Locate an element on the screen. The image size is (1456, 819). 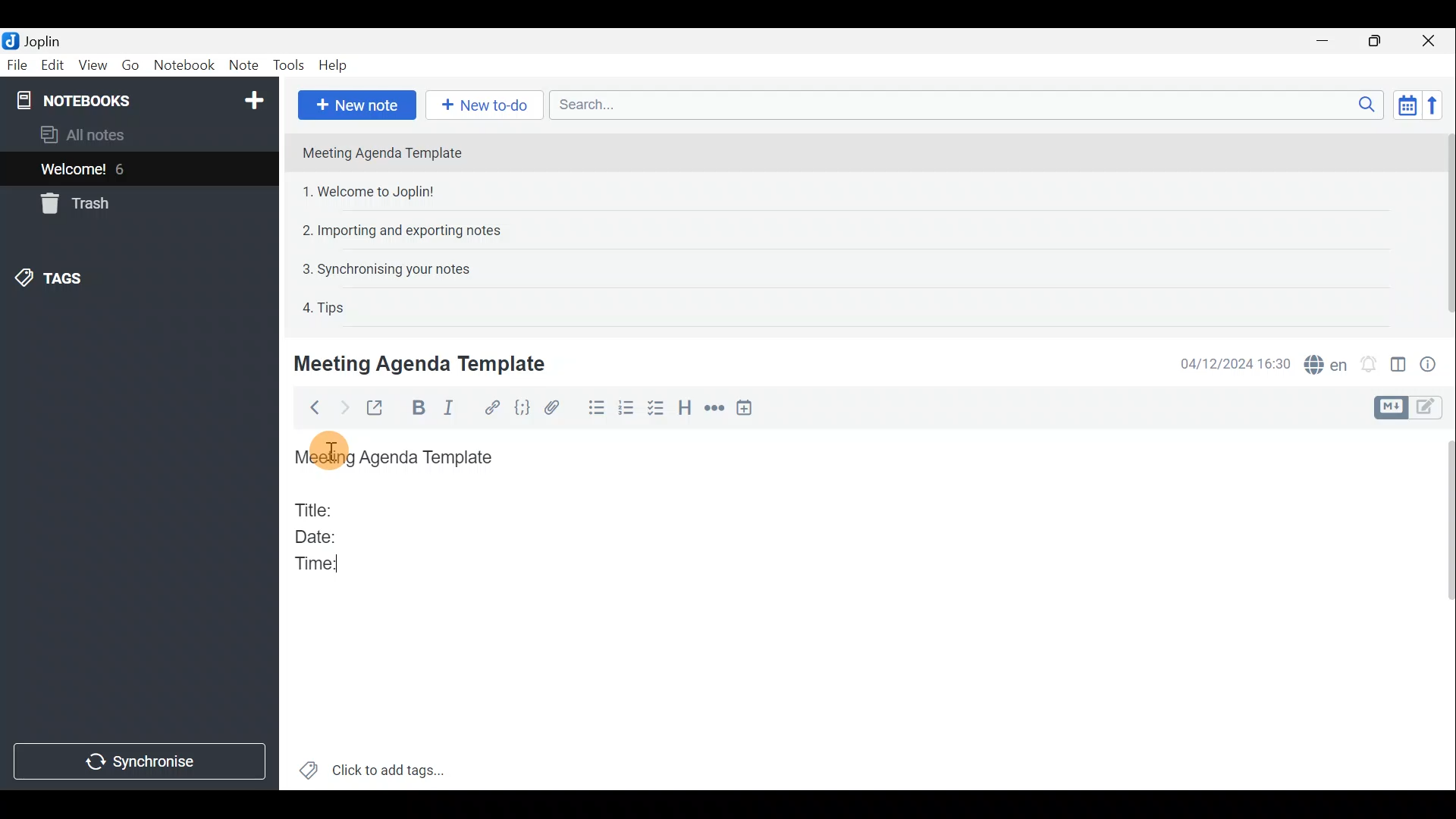
Time: is located at coordinates (318, 564).